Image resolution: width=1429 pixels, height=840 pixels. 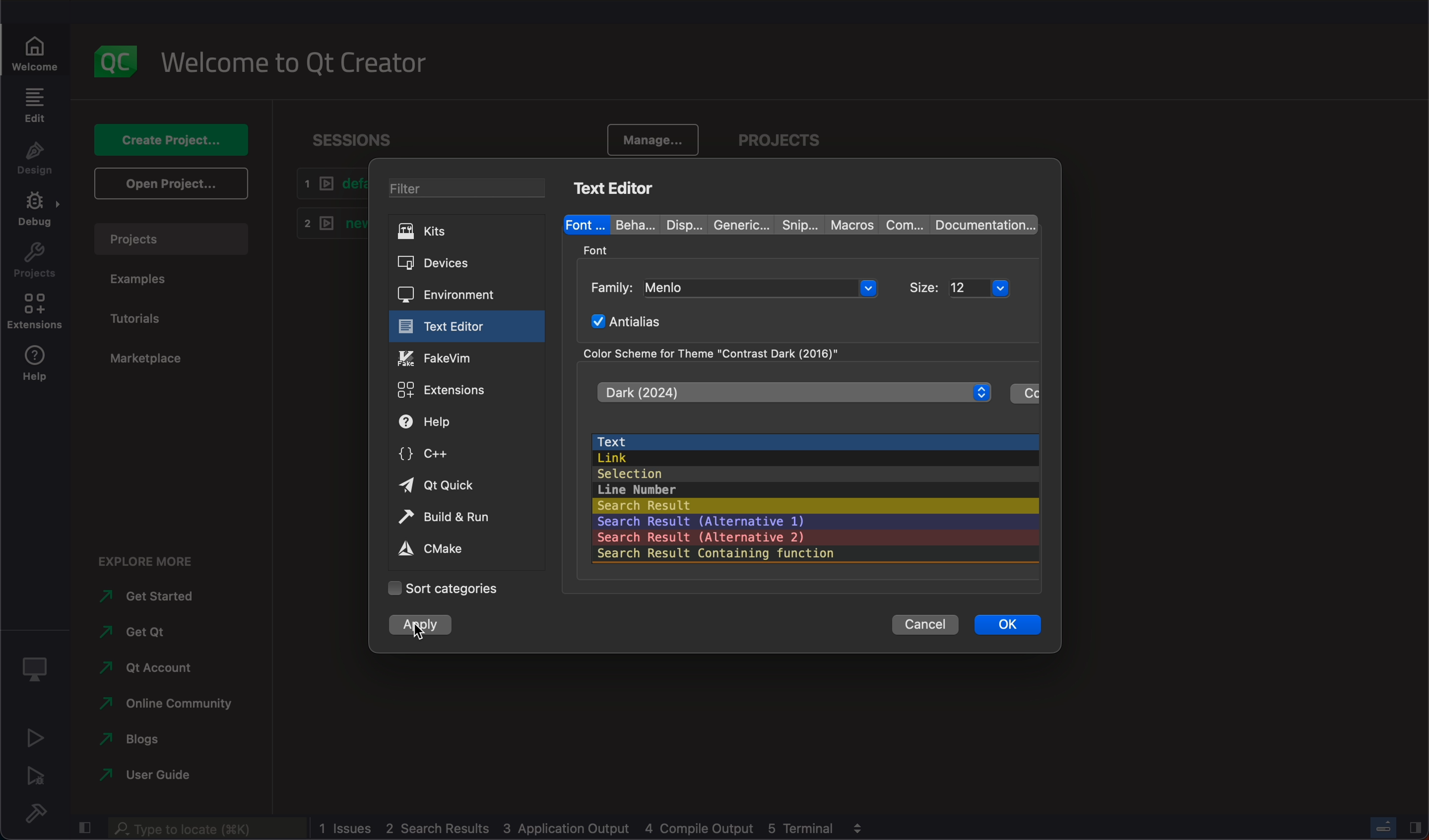 I want to click on marketplace, so click(x=146, y=360).